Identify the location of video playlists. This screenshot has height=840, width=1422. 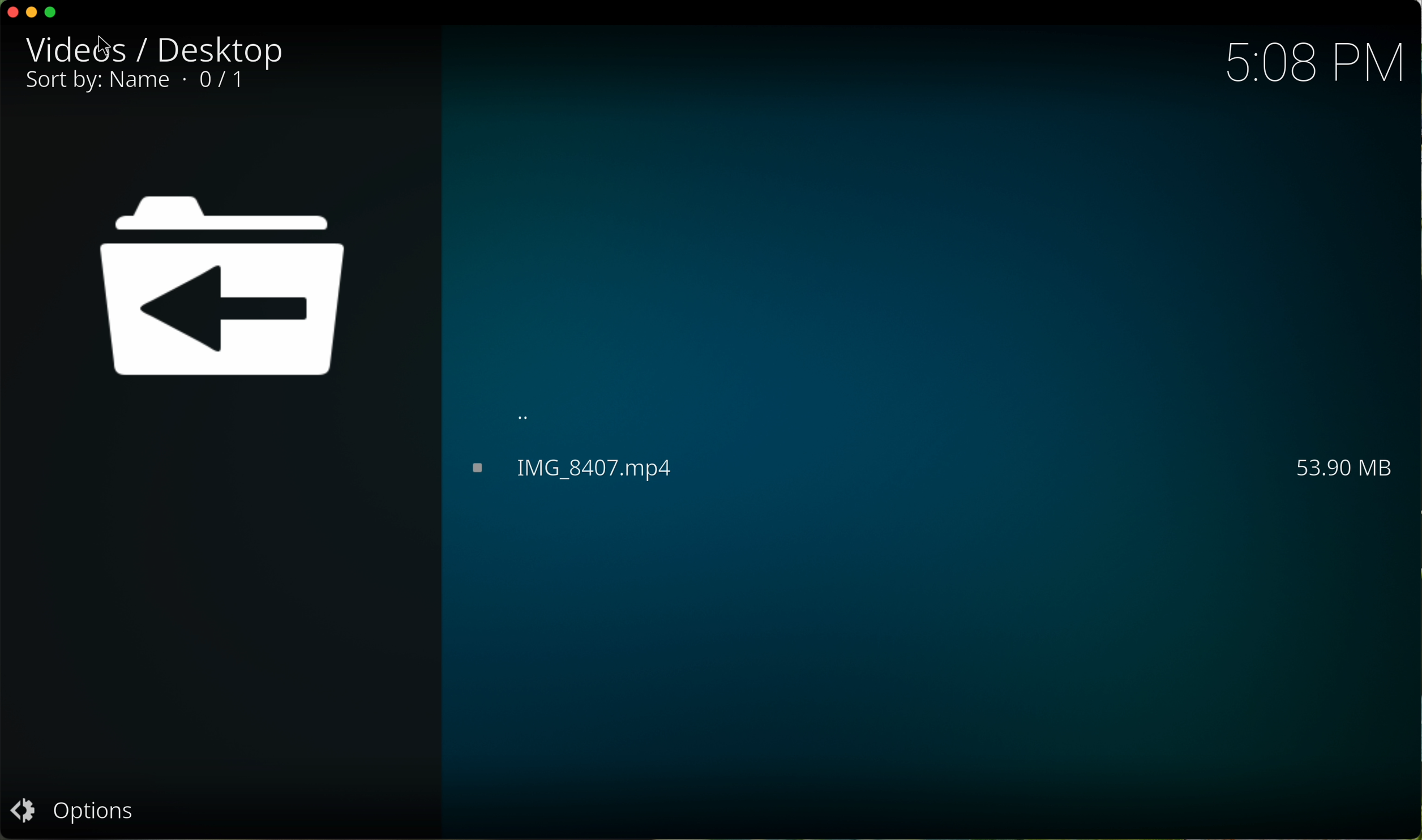
(569, 469).